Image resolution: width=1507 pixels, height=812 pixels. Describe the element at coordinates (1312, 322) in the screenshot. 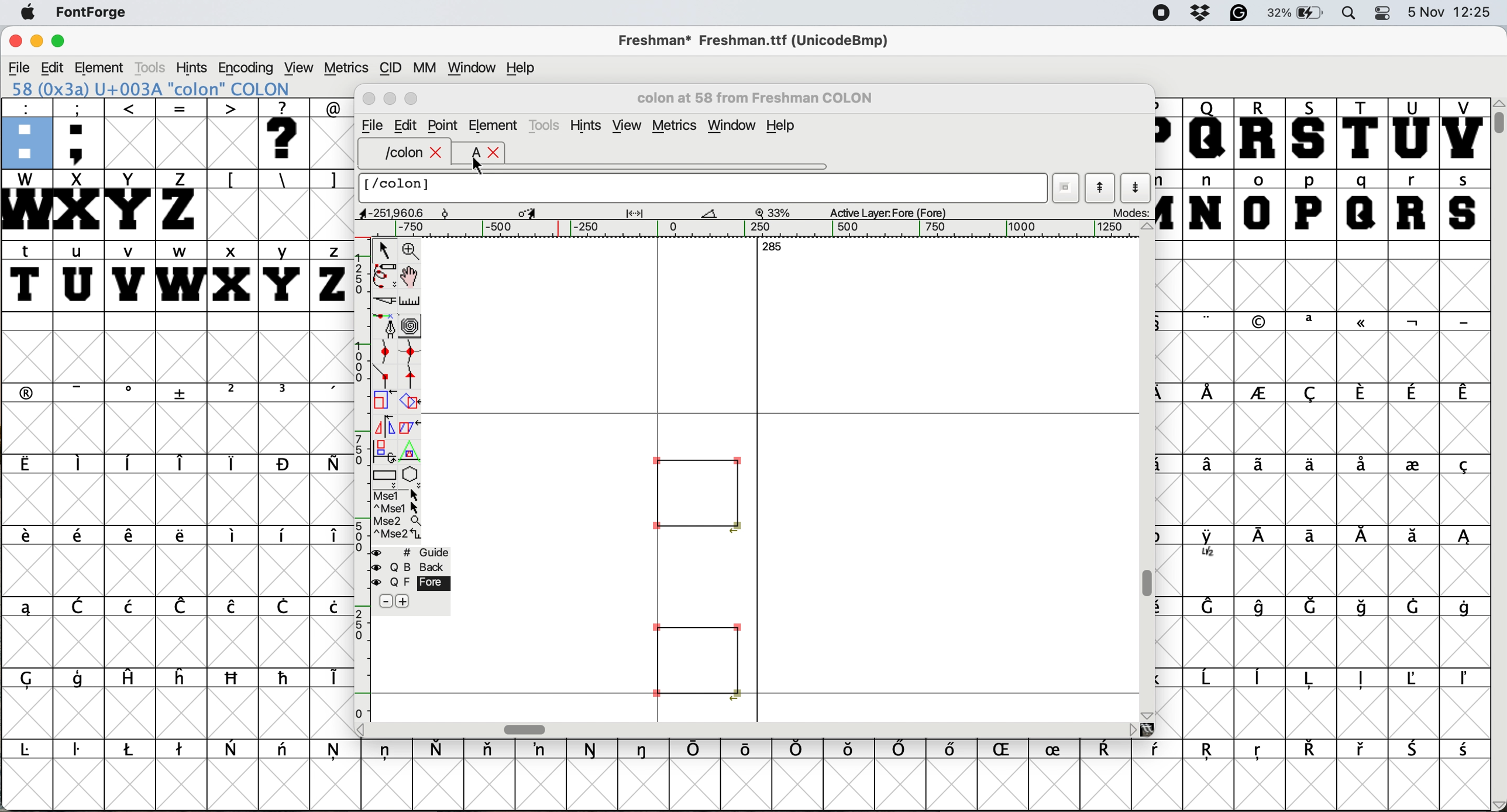

I see `symbol` at that location.